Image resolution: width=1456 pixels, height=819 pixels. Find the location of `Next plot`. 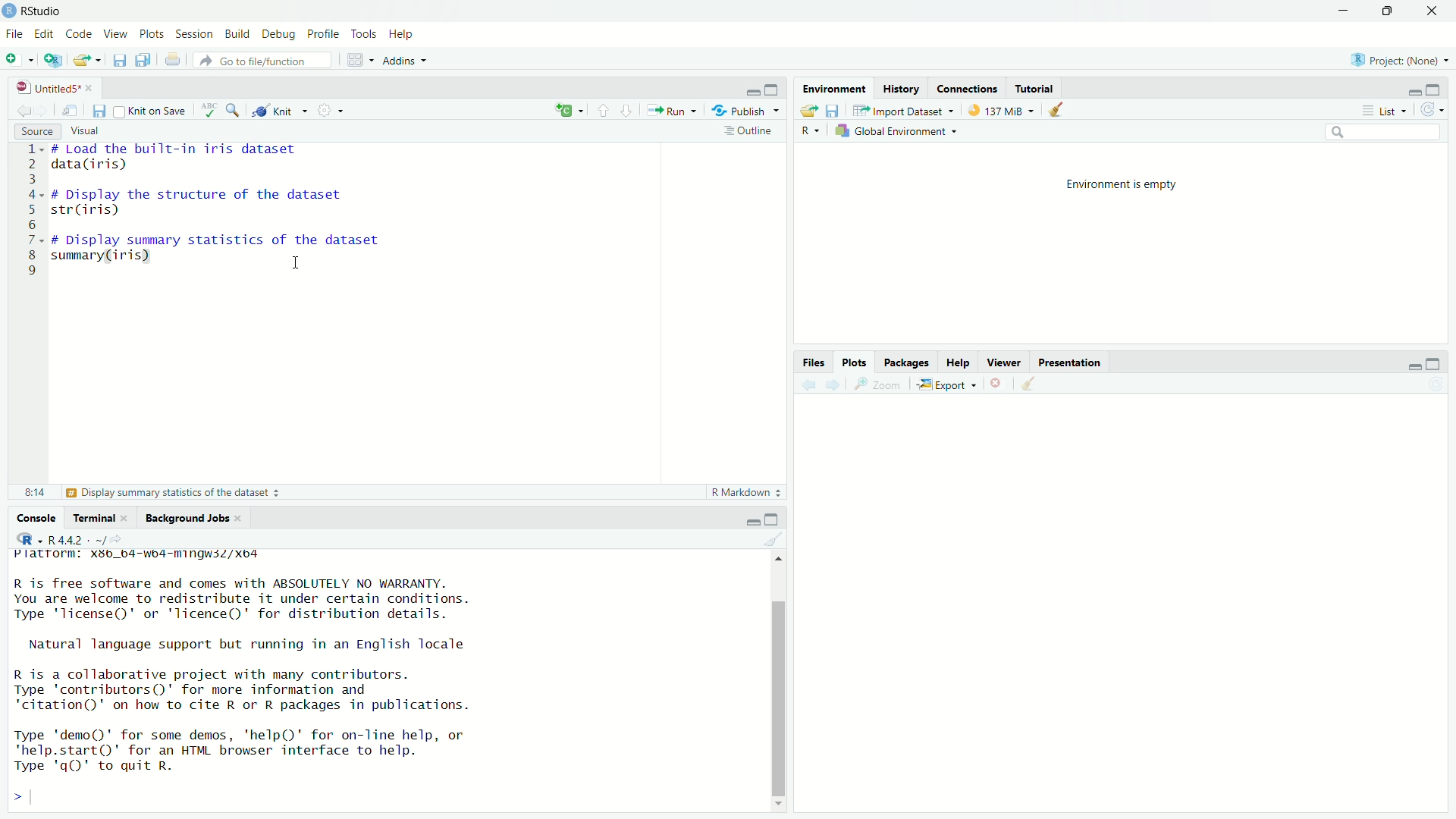

Next plot is located at coordinates (832, 384).